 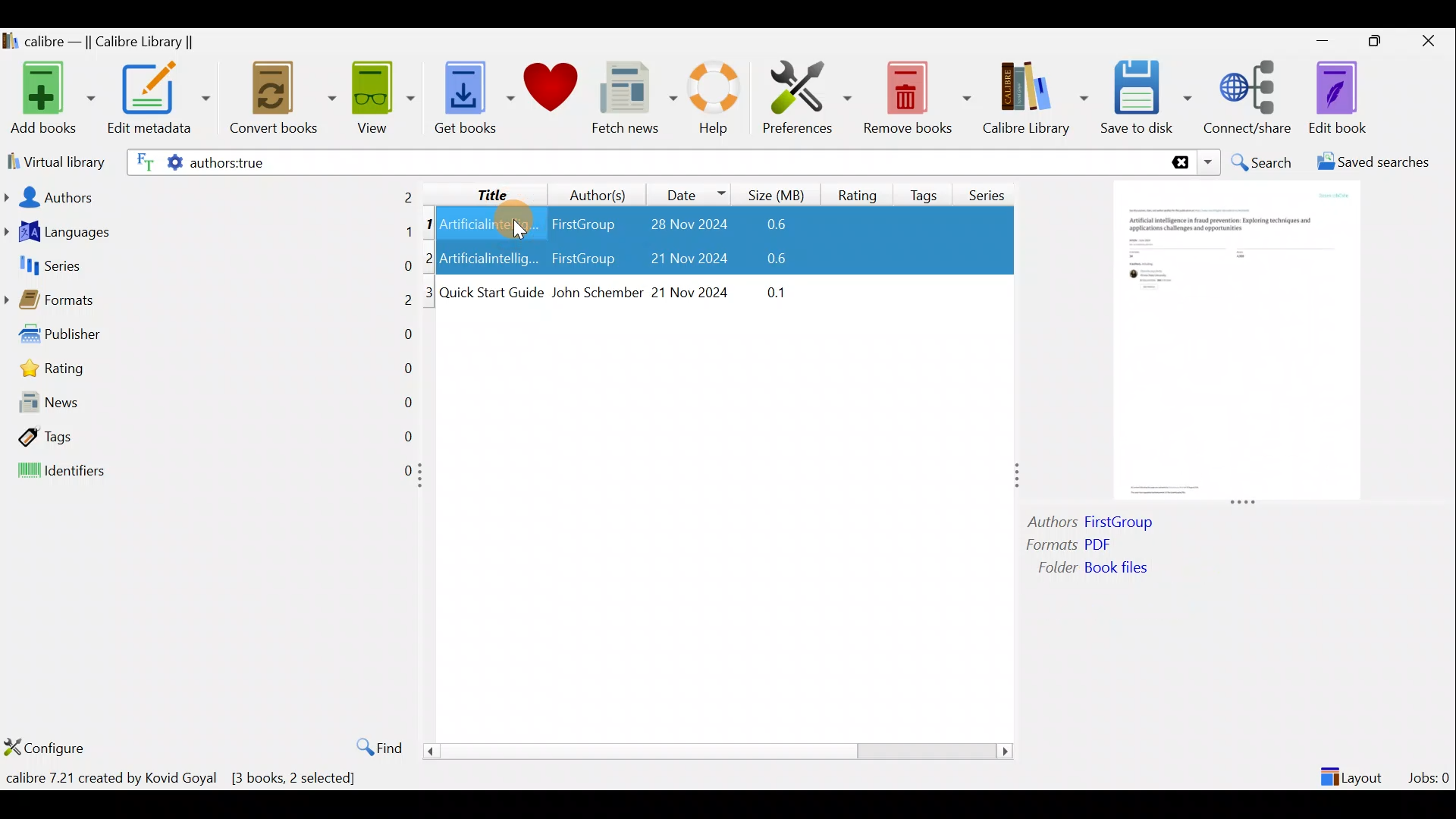 What do you see at coordinates (582, 260) in the screenshot?
I see `FirstGroup` at bounding box center [582, 260].